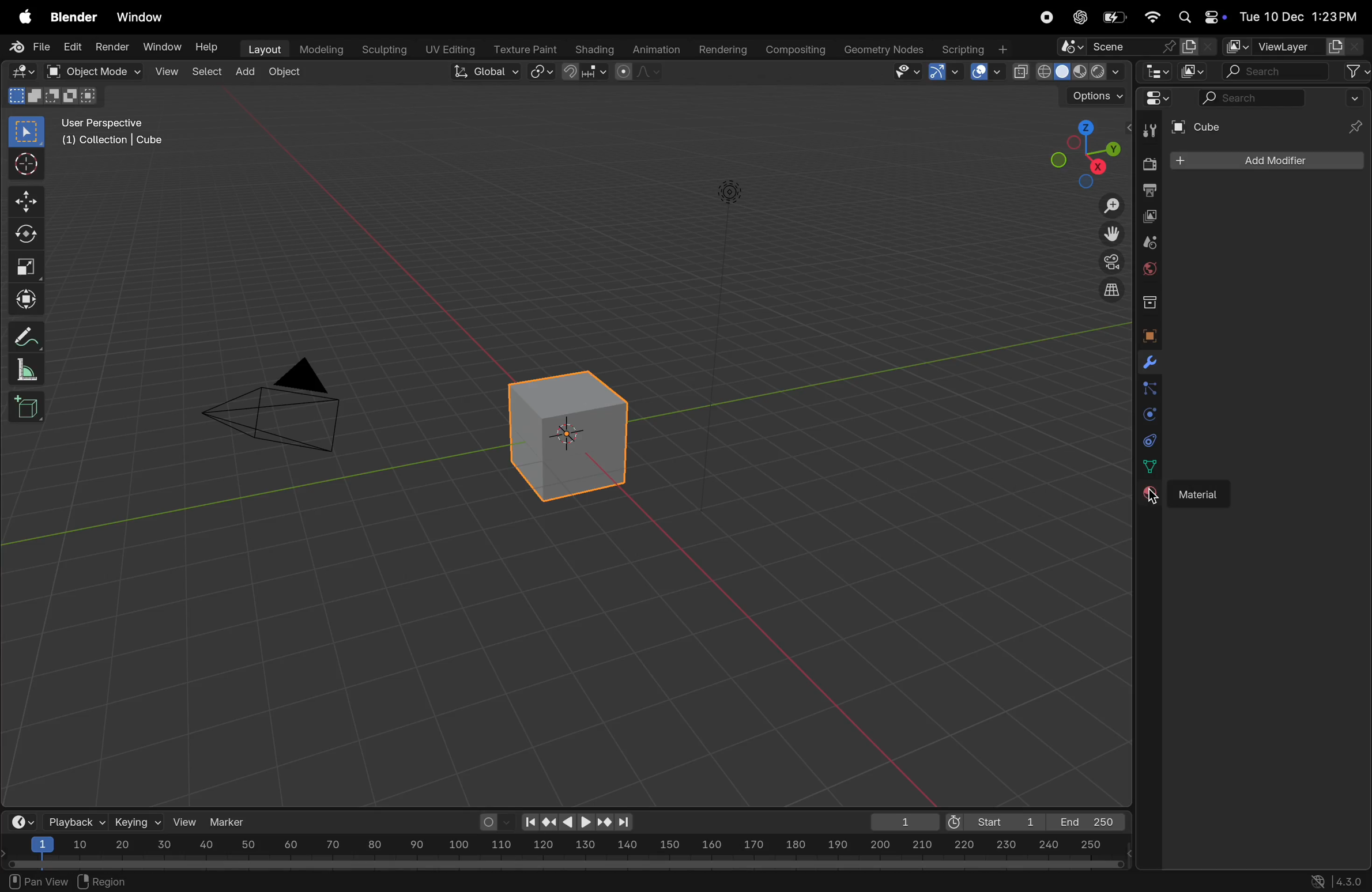 The width and height of the screenshot is (1372, 892). What do you see at coordinates (1276, 71) in the screenshot?
I see `search` at bounding box center [1276, 71].